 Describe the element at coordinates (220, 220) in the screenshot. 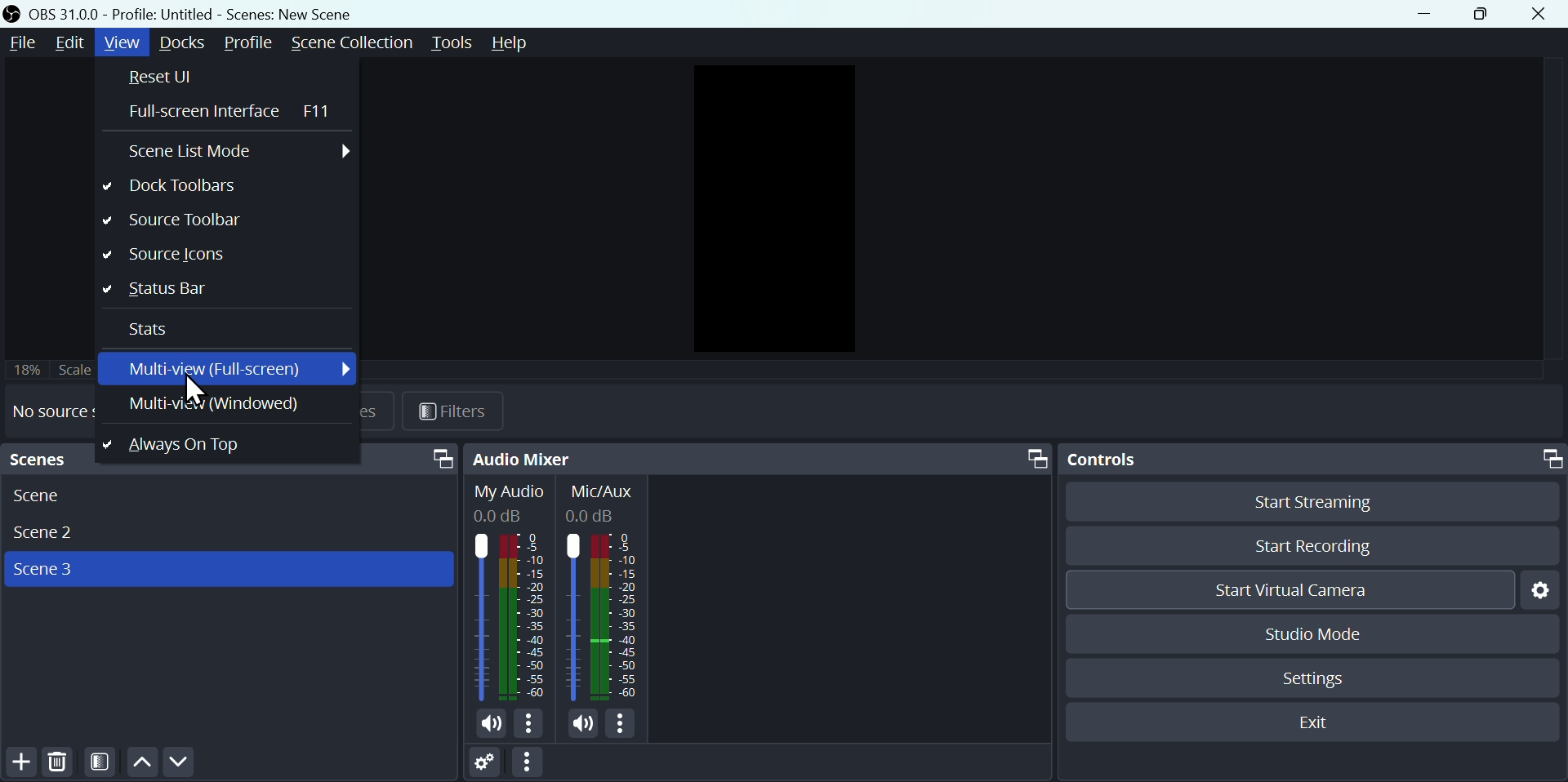

I see `Source toolbar` at that location.